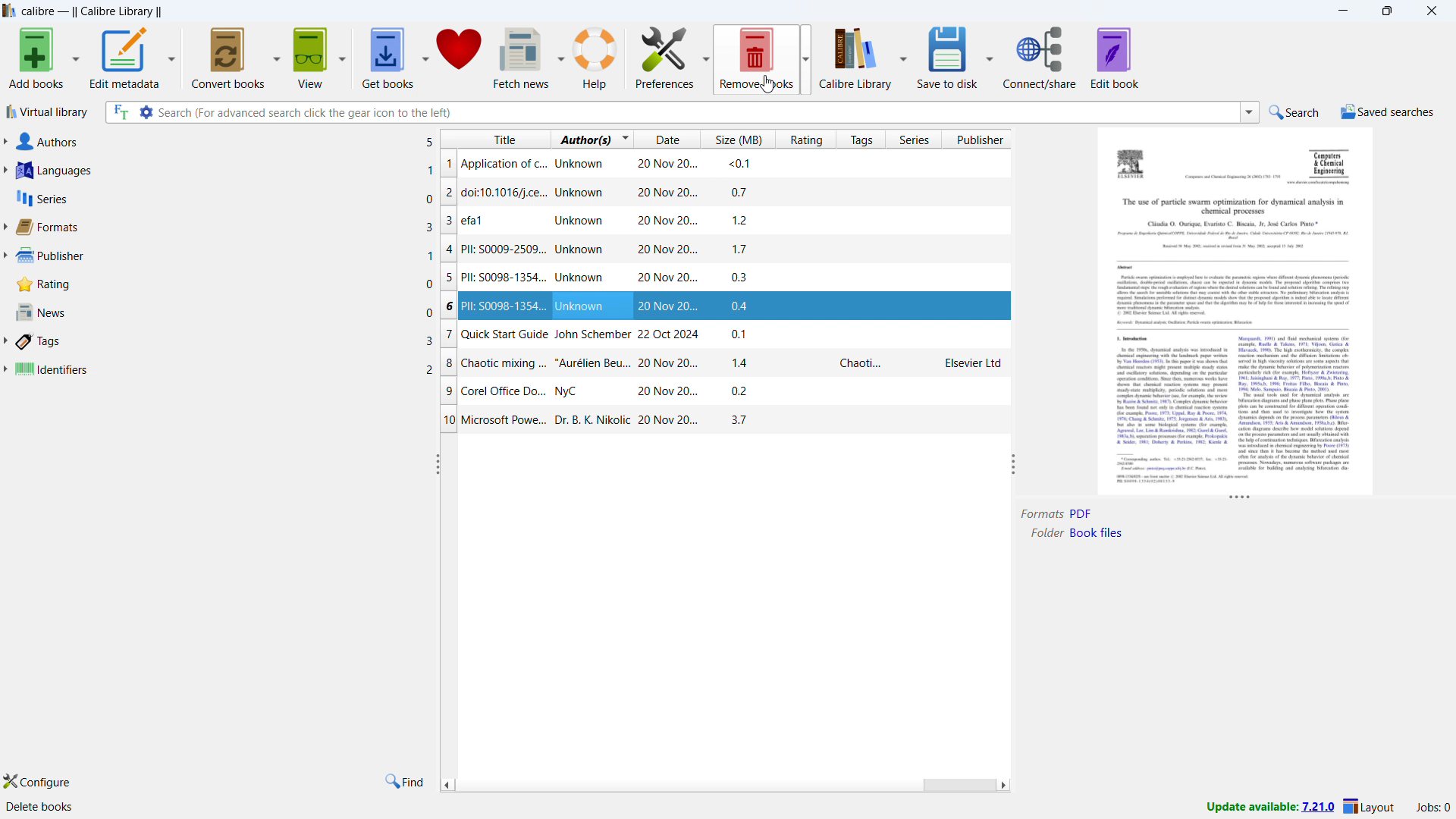  What do you see at coordinates (689, 191) in the screenshot?
I see `doic 10.1016/j.ce..` at bounding box center [689, 191].